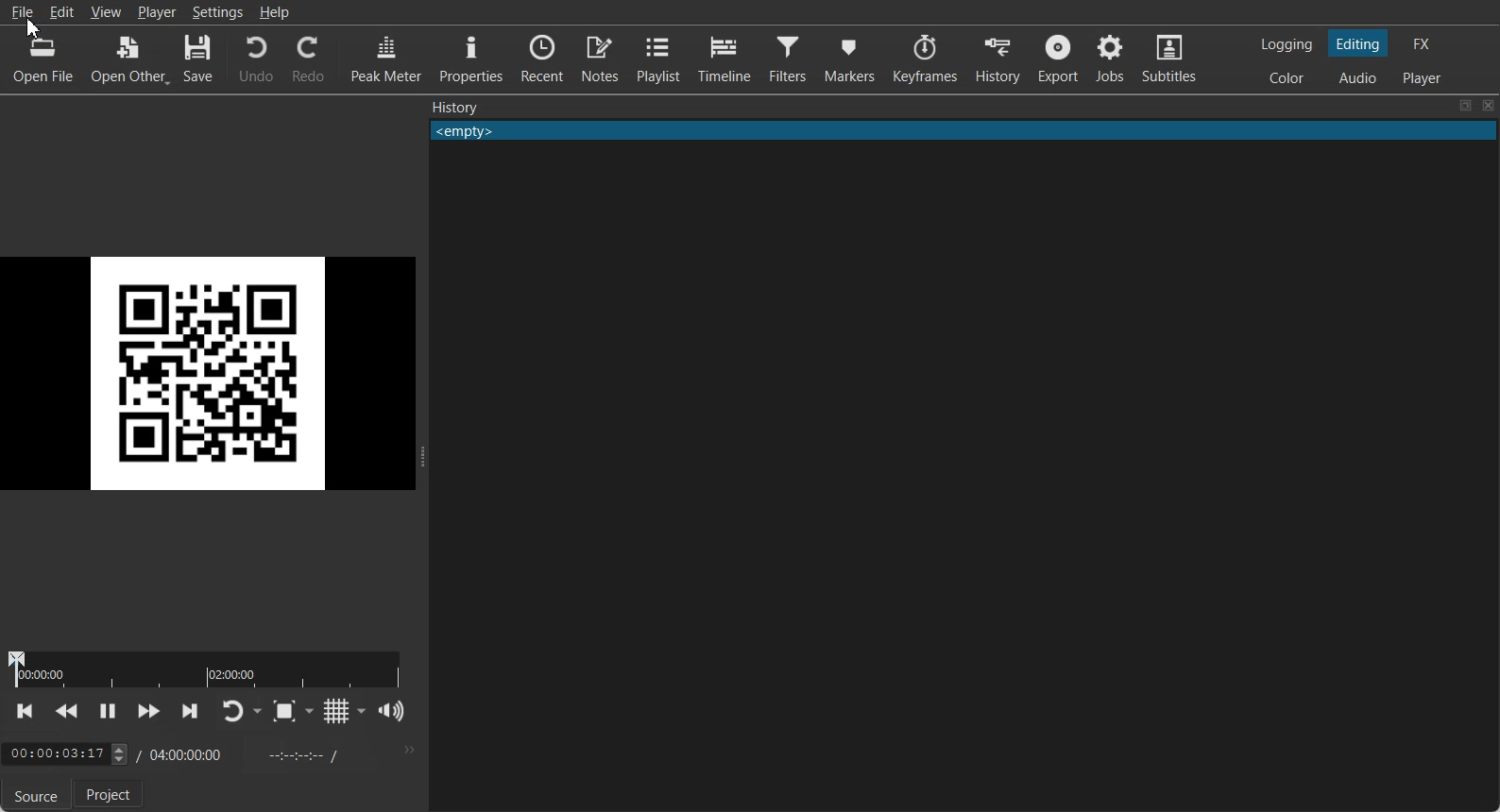 The width and height of the screenshot is (1500, 812). What do you see at coordinates (299, 754) in the screenshot?
I see `In point` at bounding box center [299, 754].